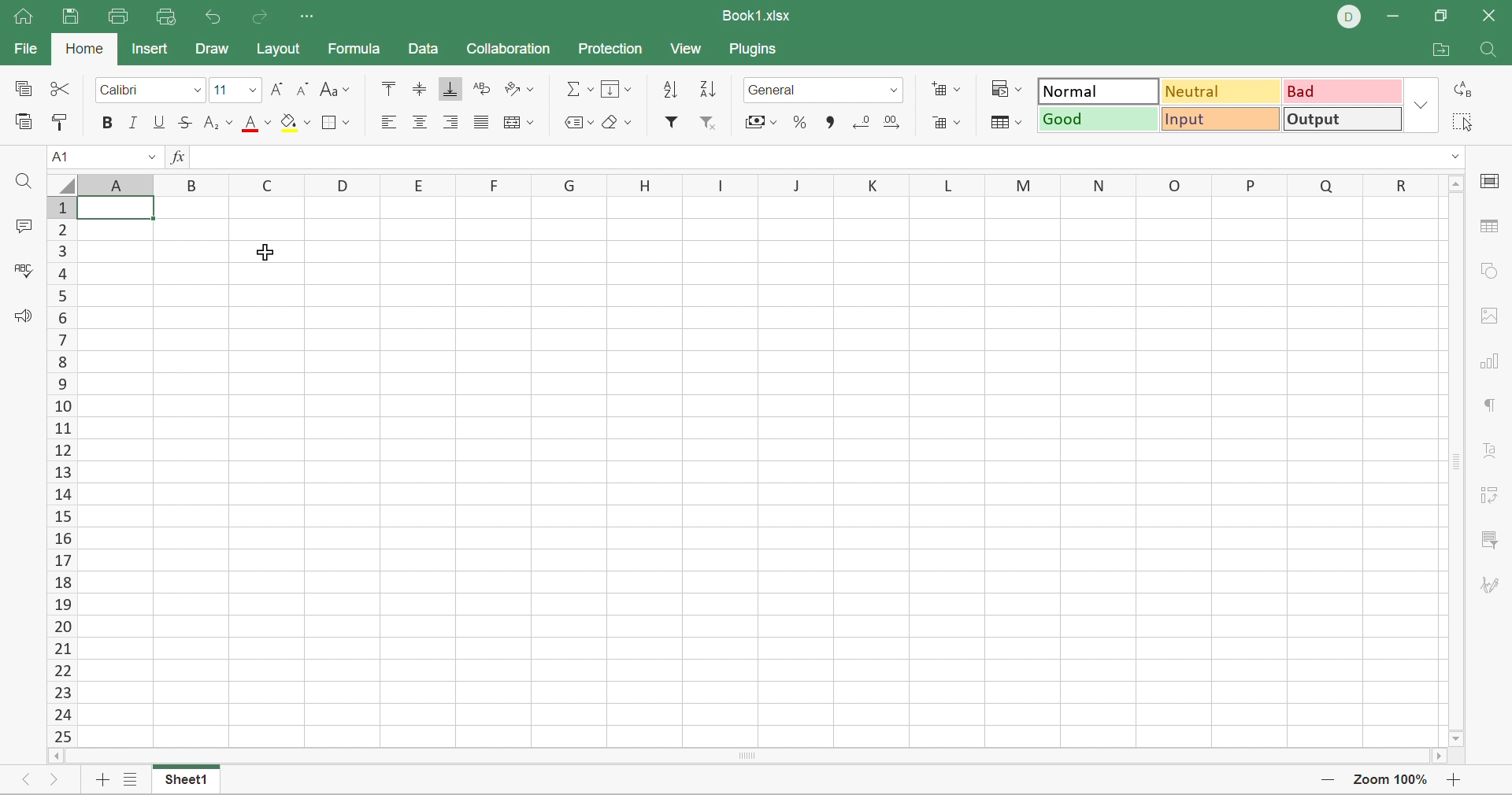 This screenshot has width=1512, height=795. What do you see at coordinates (673, 123) in the screenshot?
I see `Filter` at bounding box center [673, 123].